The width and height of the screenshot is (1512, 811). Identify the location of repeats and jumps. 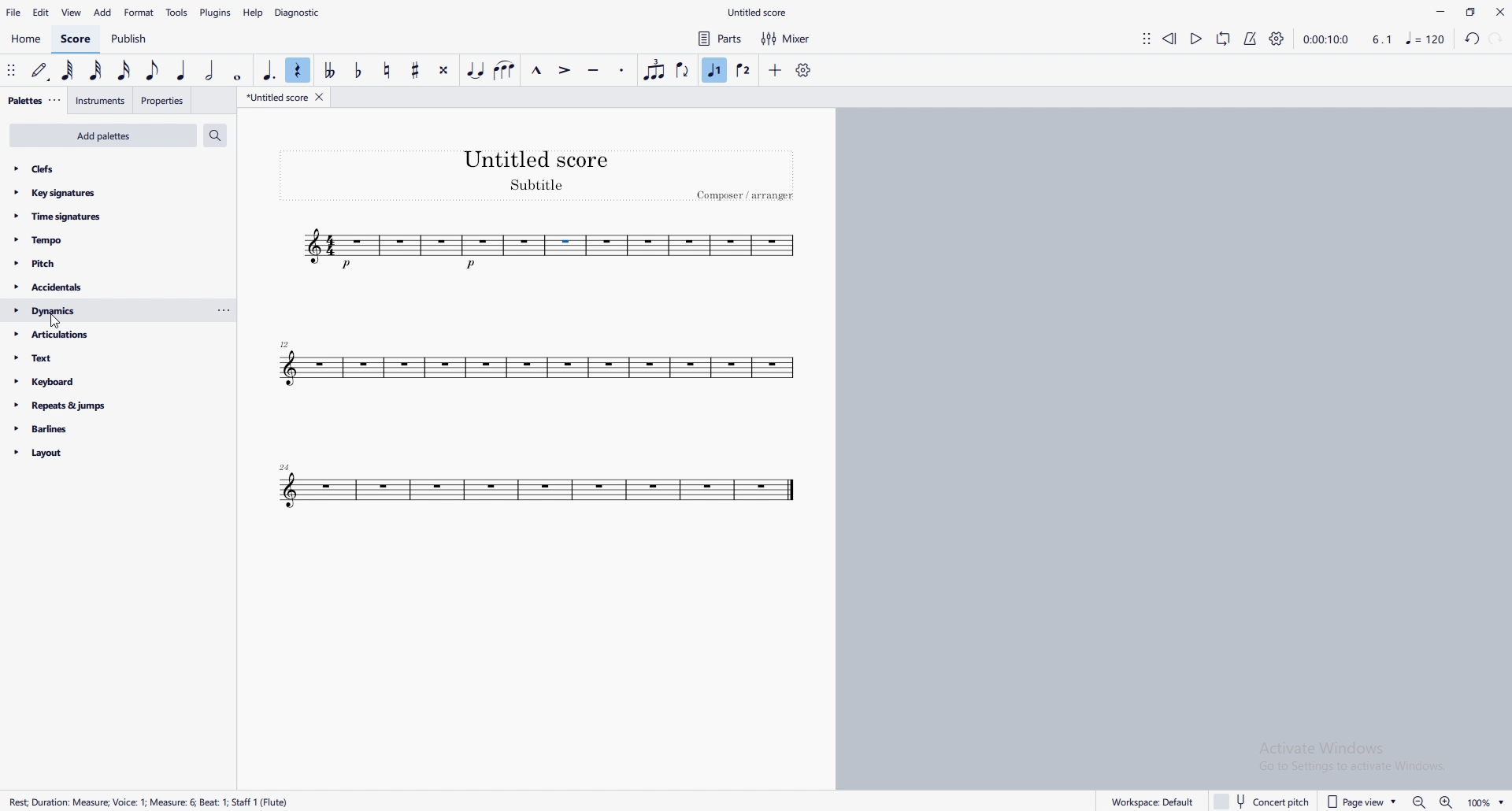
(98, 405).